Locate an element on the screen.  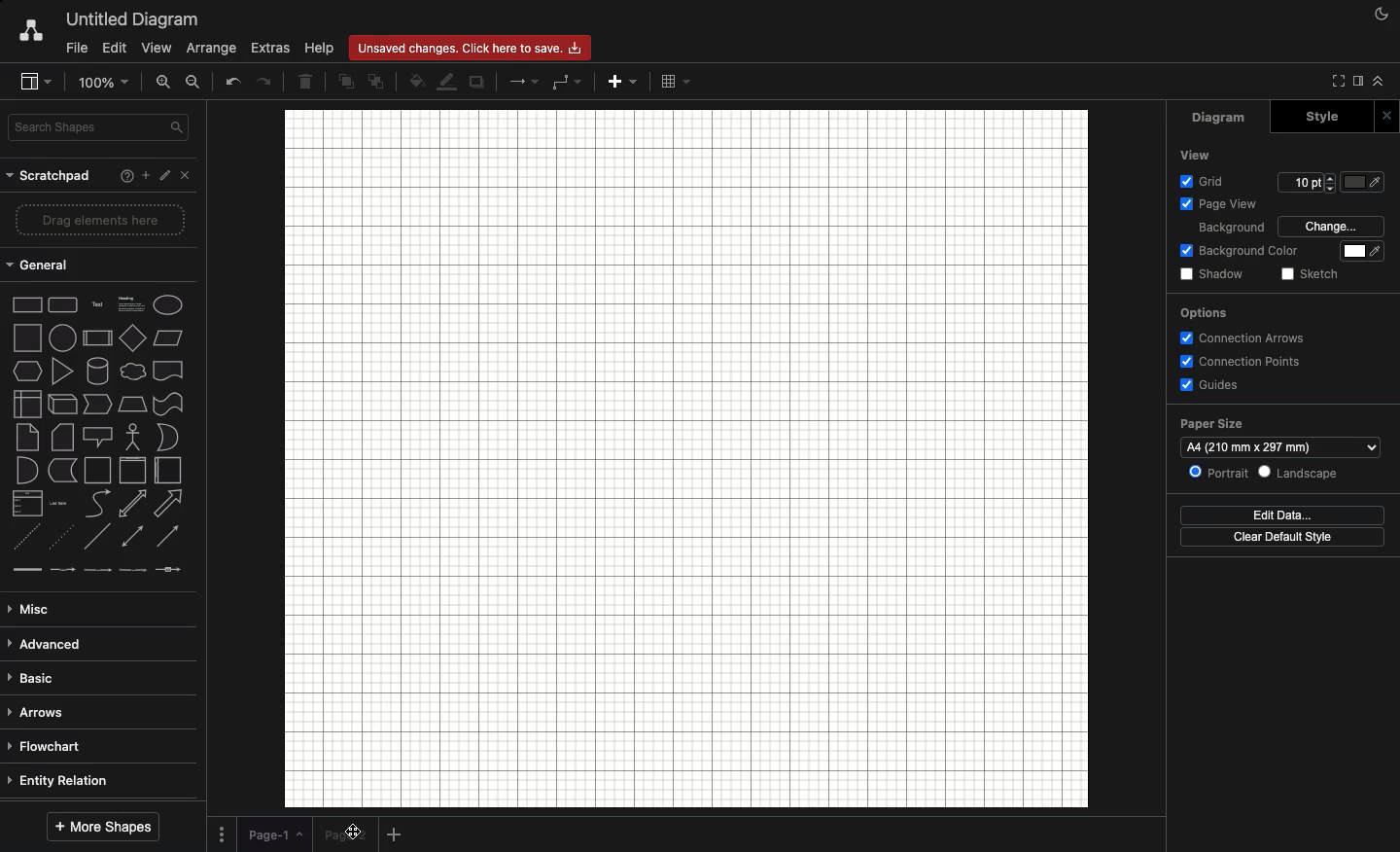
Help is located at coordinates (319, 49).